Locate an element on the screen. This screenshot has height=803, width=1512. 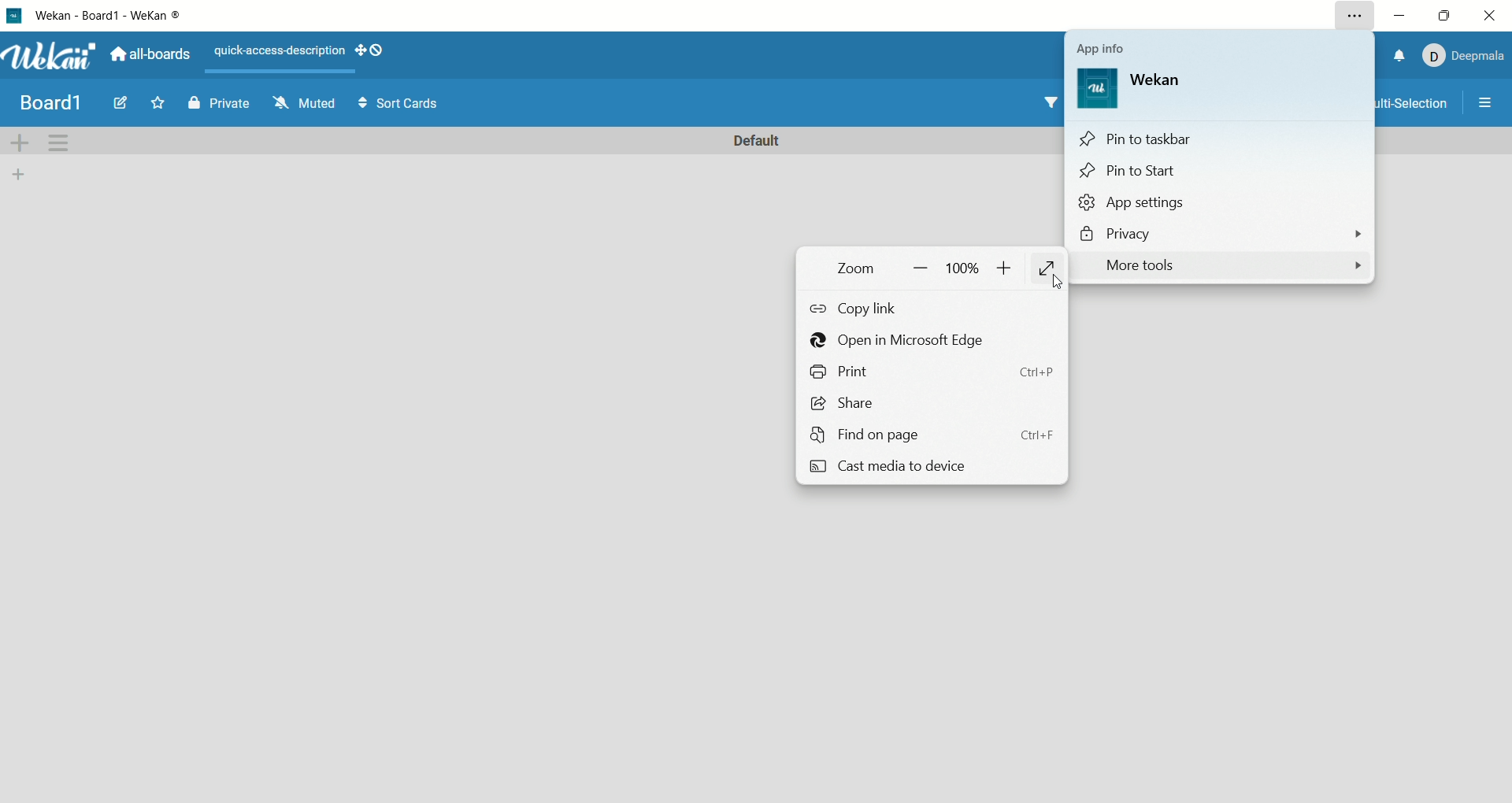
cast media to device is located at coordinates (928, 470).